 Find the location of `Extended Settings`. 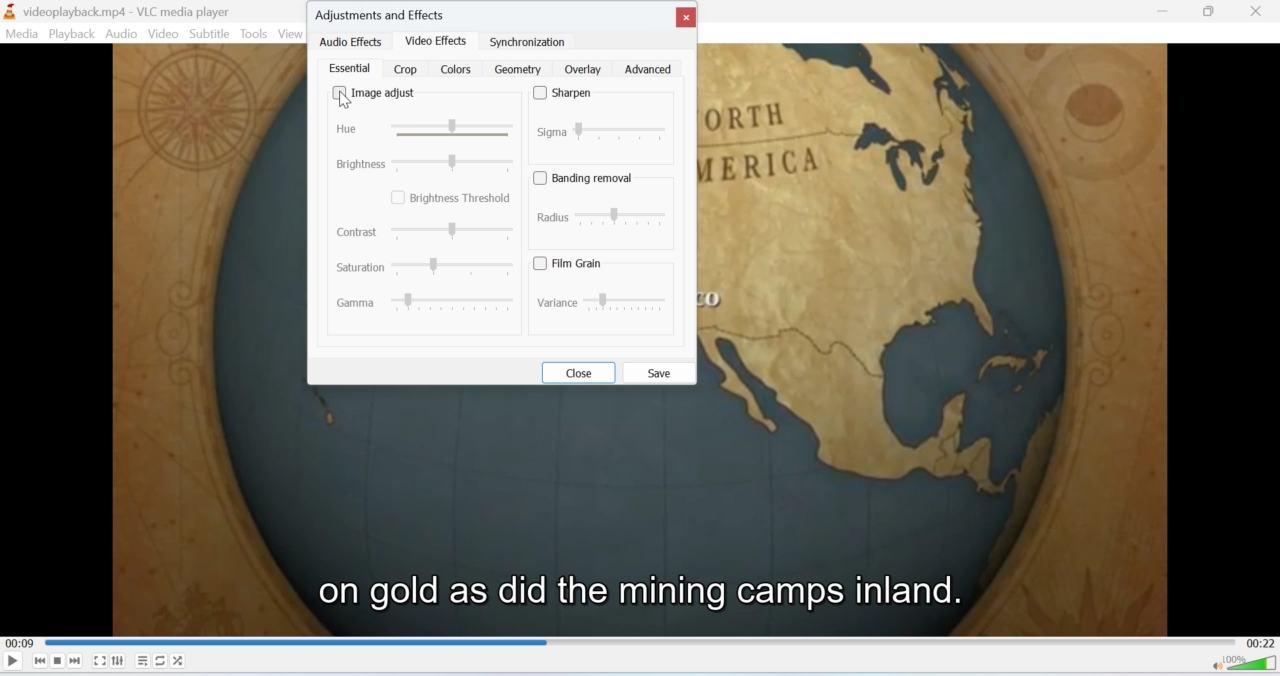

Extended Settings is located at coordinates (118, 661).